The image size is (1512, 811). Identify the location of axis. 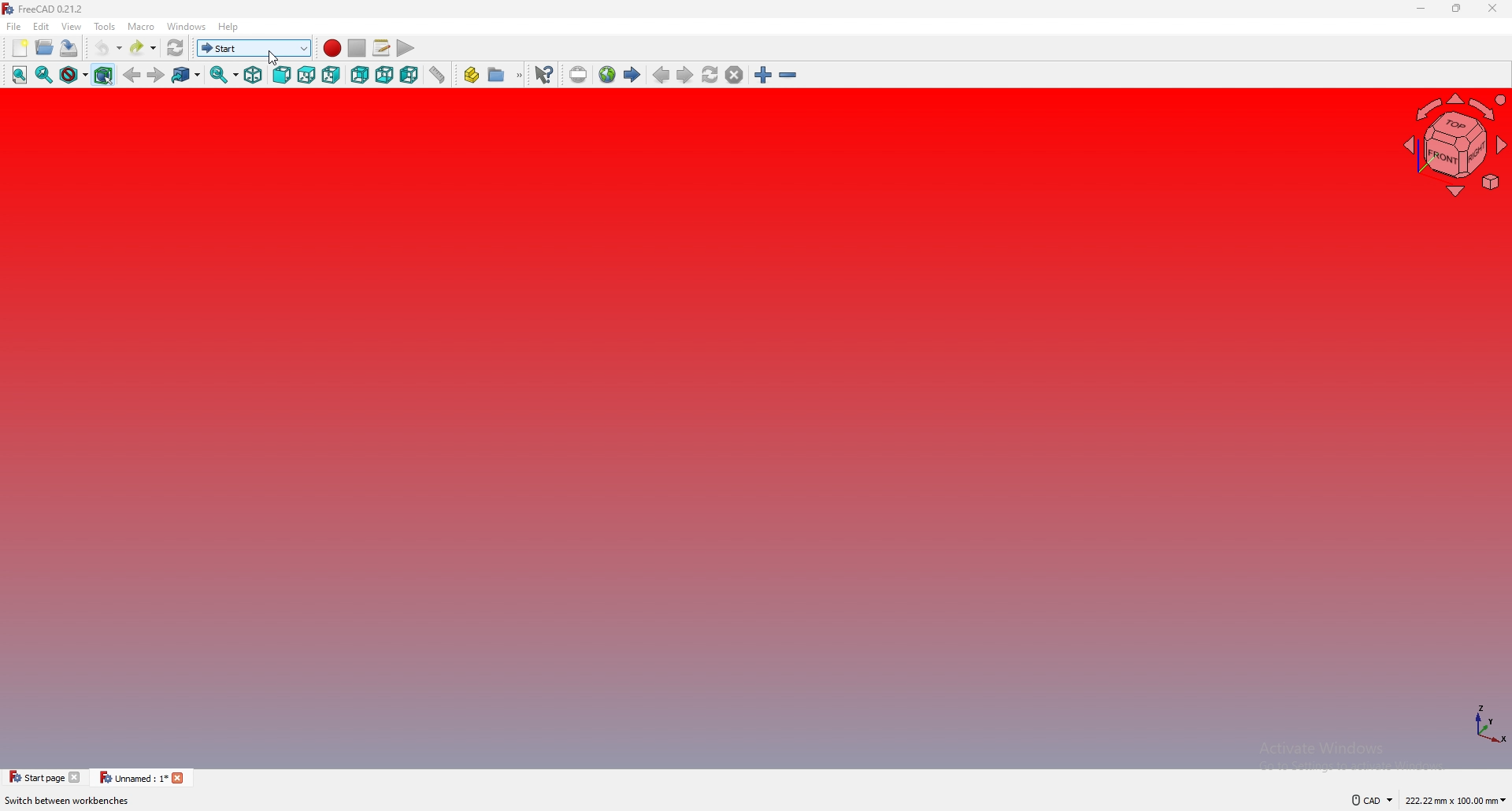
(1488, 724).